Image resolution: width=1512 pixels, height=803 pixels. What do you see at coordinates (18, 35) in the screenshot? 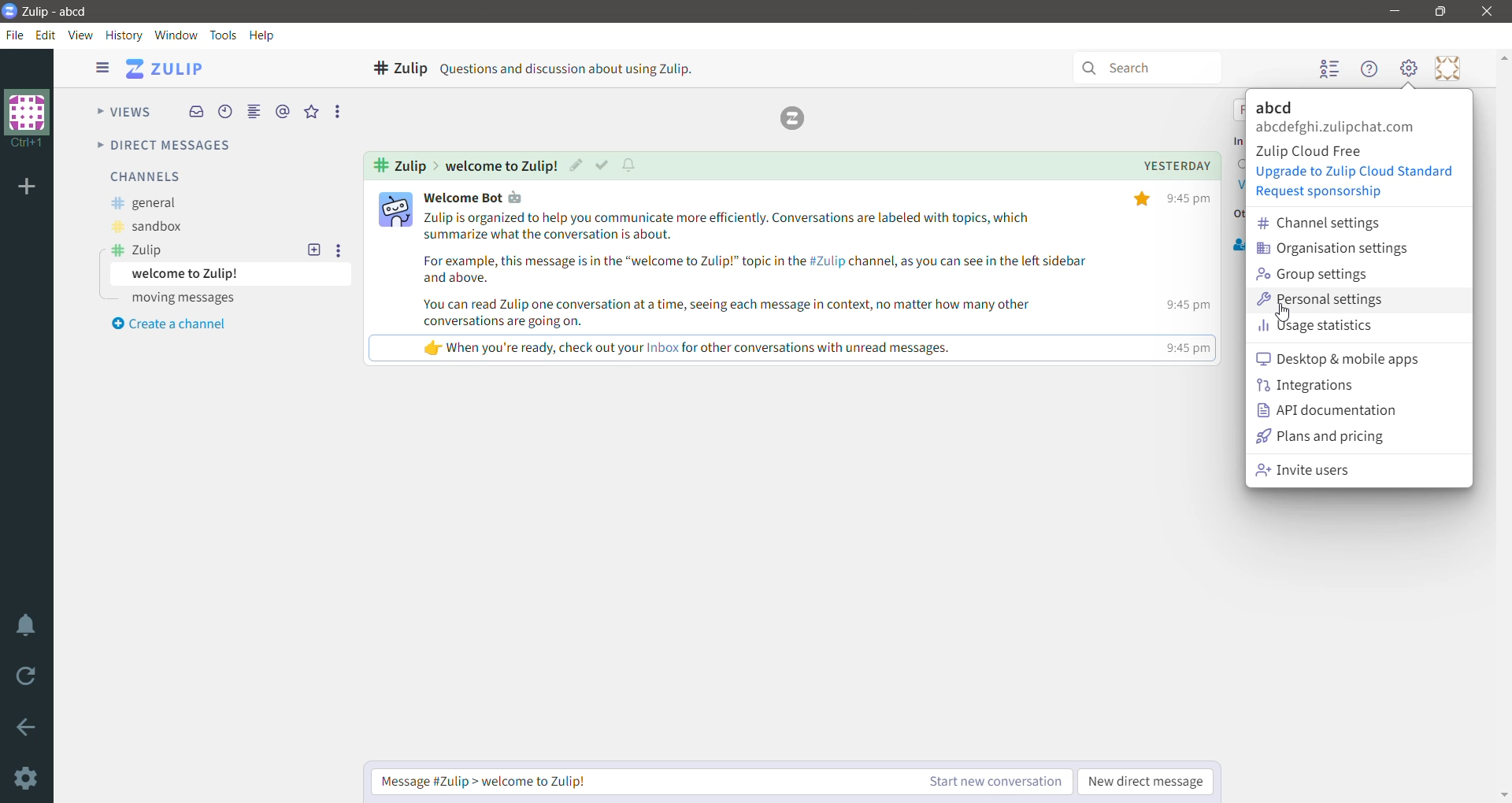
I see `File` at bounding box center [18, 35].